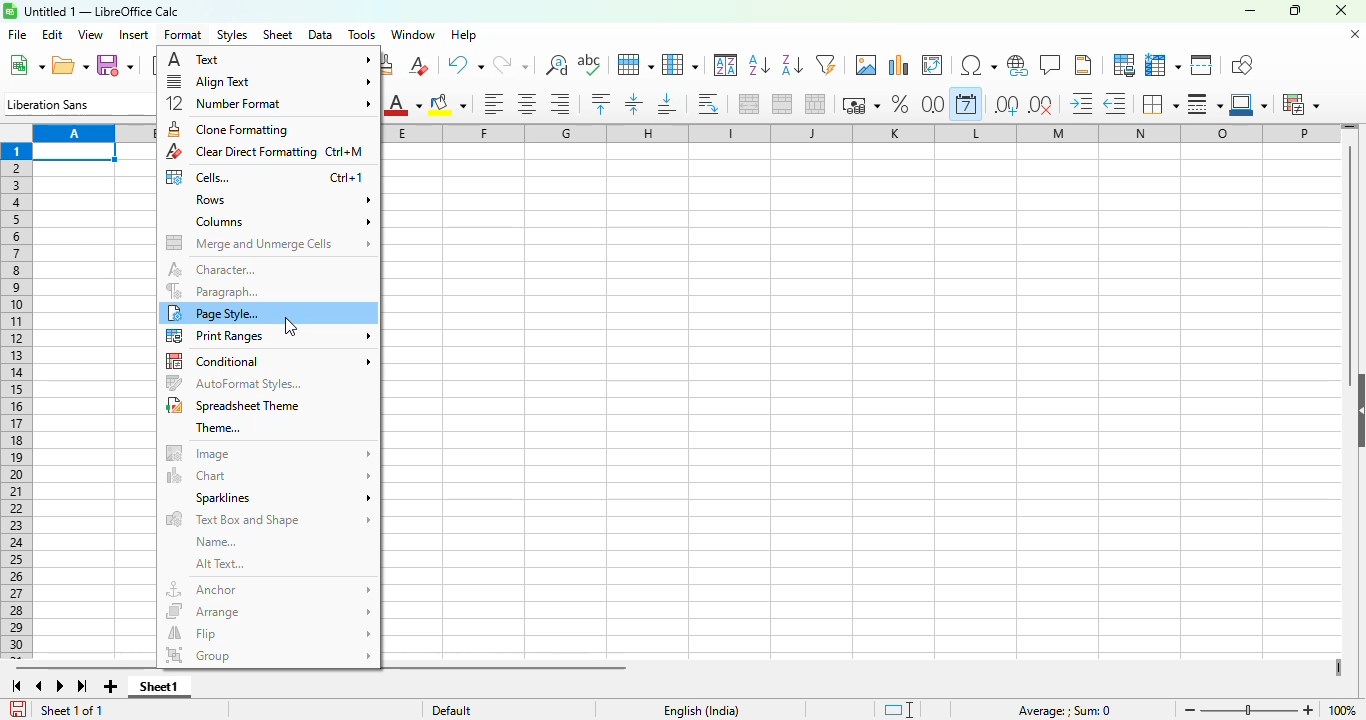 The width and height of the screenshot is (1366, 720). What do you see at coordinates (979, 65) in the screenshot?
I see `insert special characters` at bounding box center [979, 65].